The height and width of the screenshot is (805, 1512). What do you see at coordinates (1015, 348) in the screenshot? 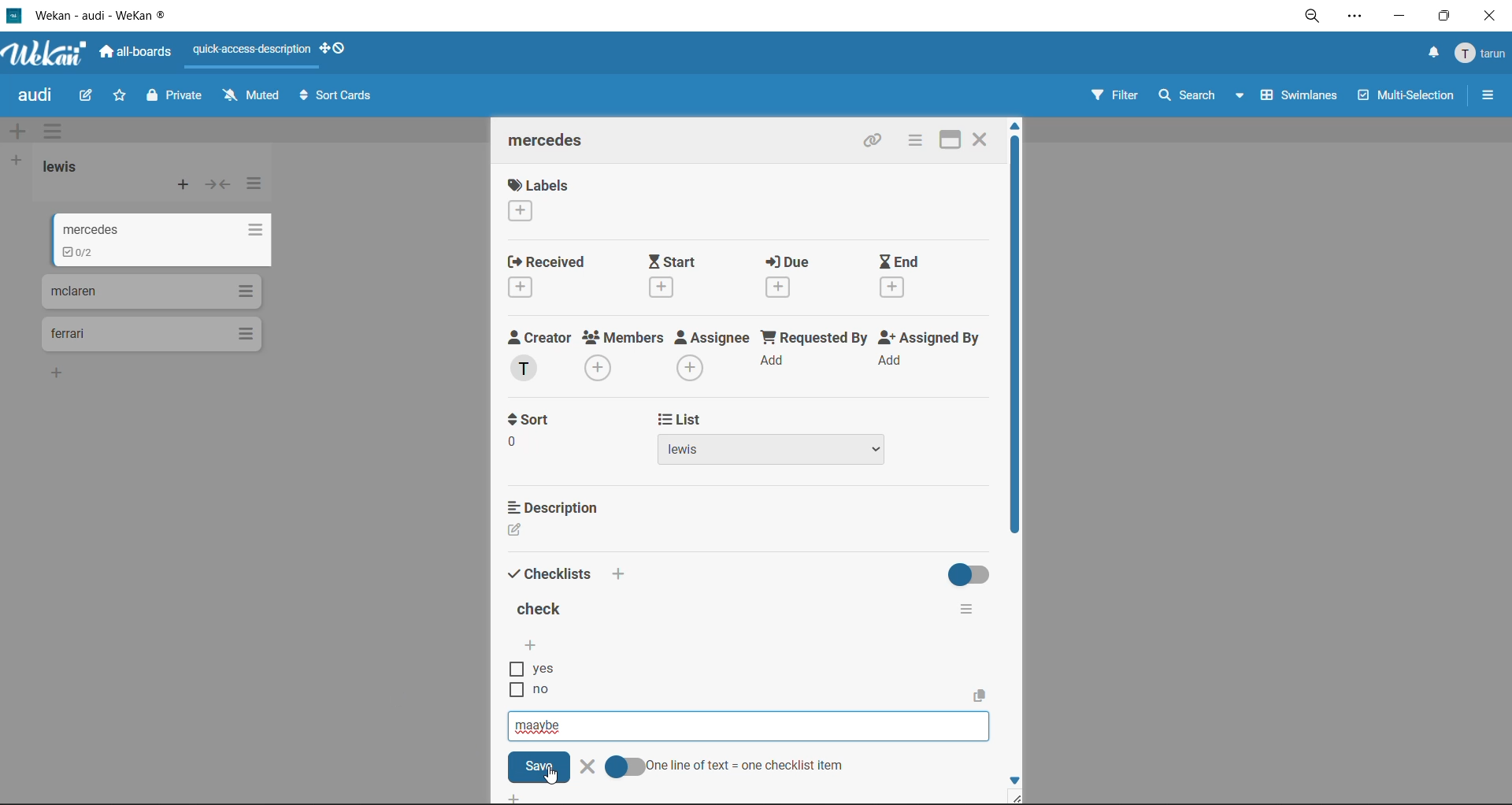
I see `vertical scroll bar` at bounding box center [1015, 348].